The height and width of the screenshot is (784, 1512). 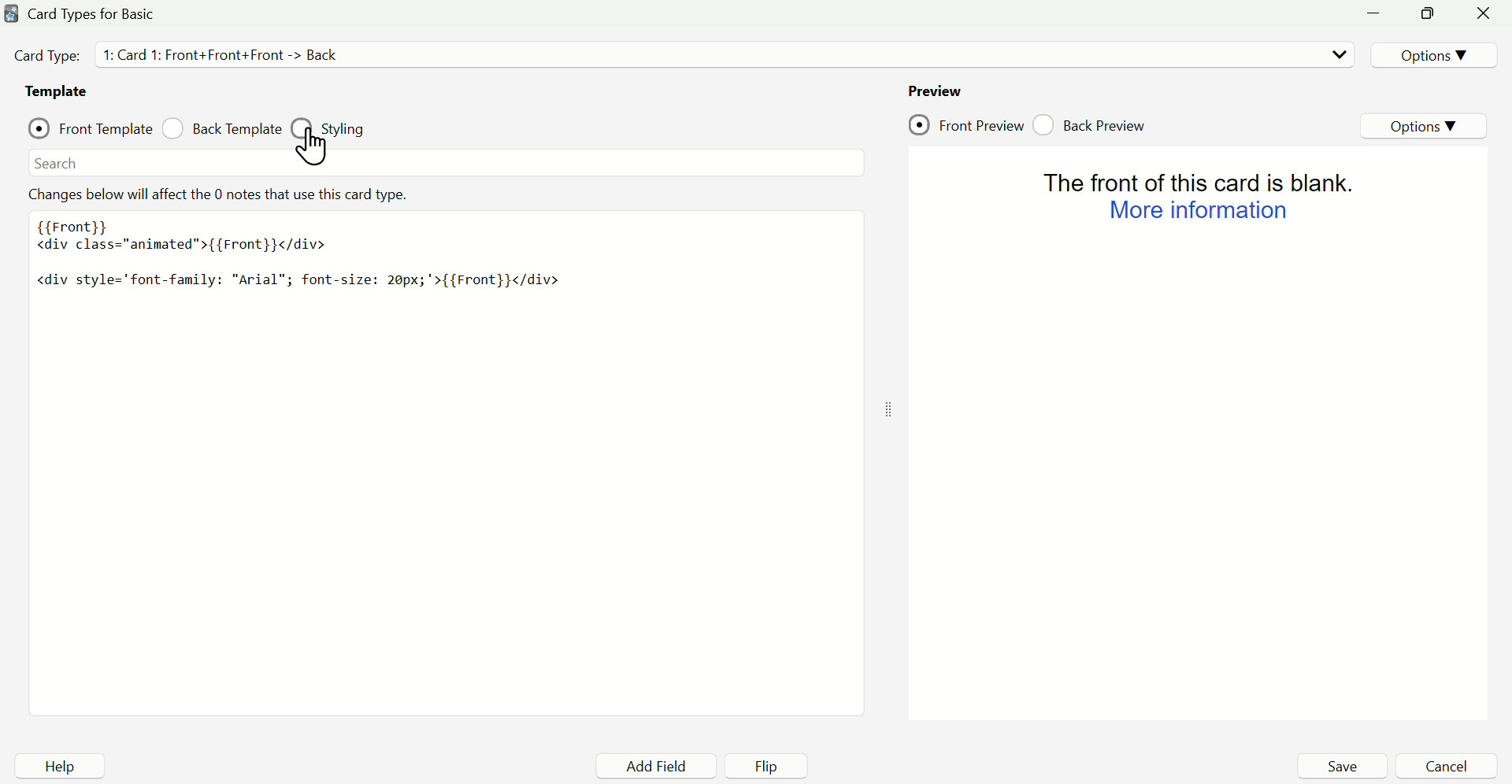 I want to click on Flip, so click(x=774, y=766).